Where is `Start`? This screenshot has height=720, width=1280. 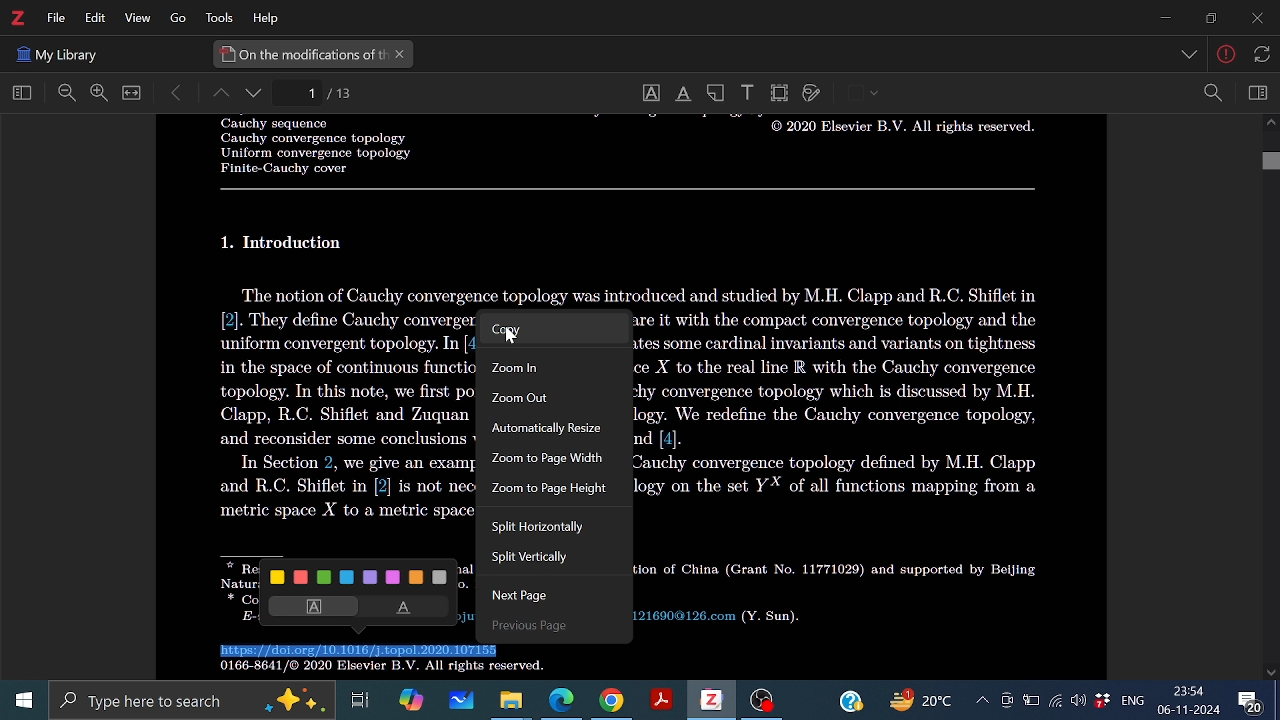
Start is located at coordinates (19, 701).